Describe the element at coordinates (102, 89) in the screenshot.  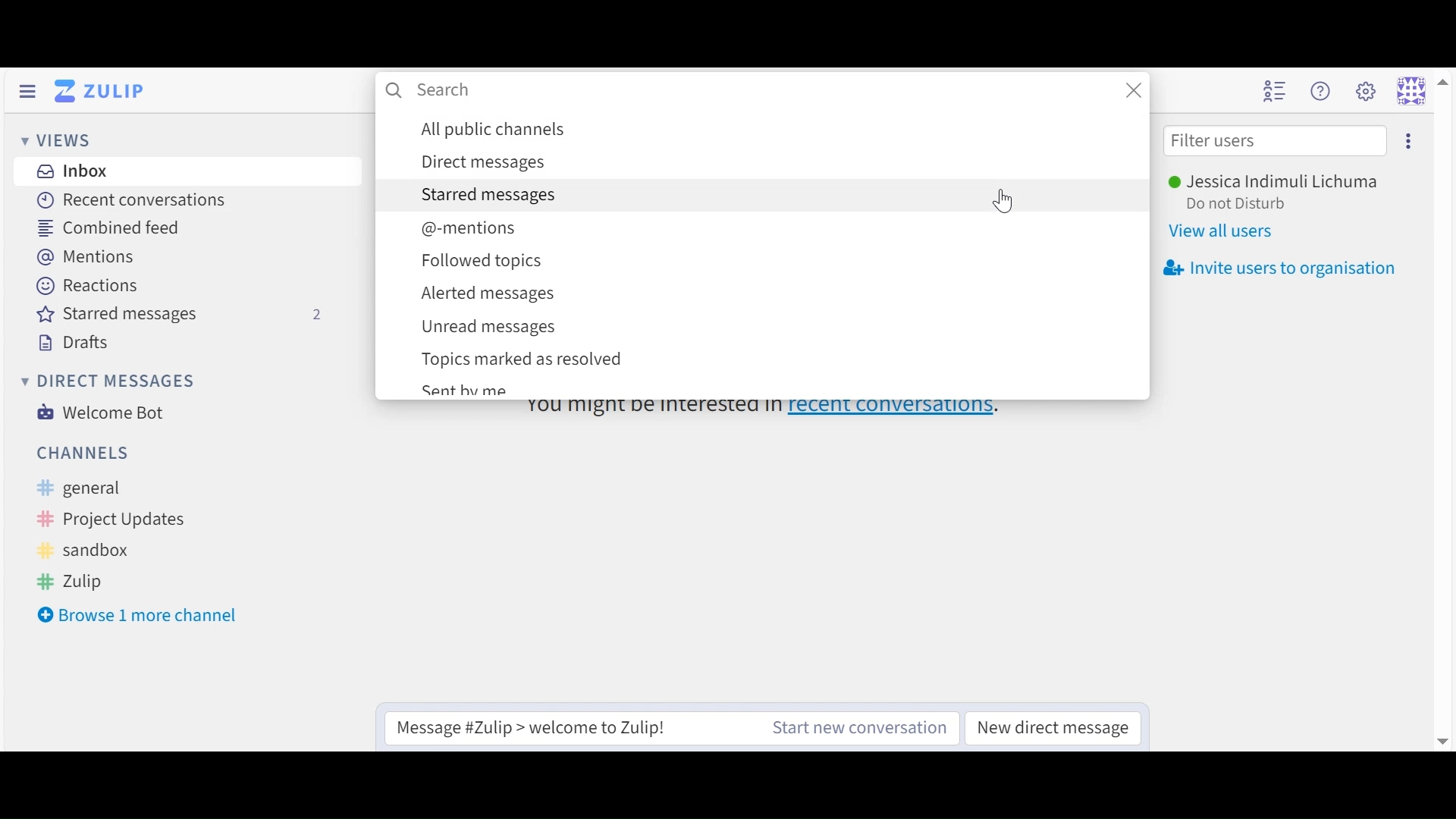
I see `Go to Home View (Inbox)` at that location.